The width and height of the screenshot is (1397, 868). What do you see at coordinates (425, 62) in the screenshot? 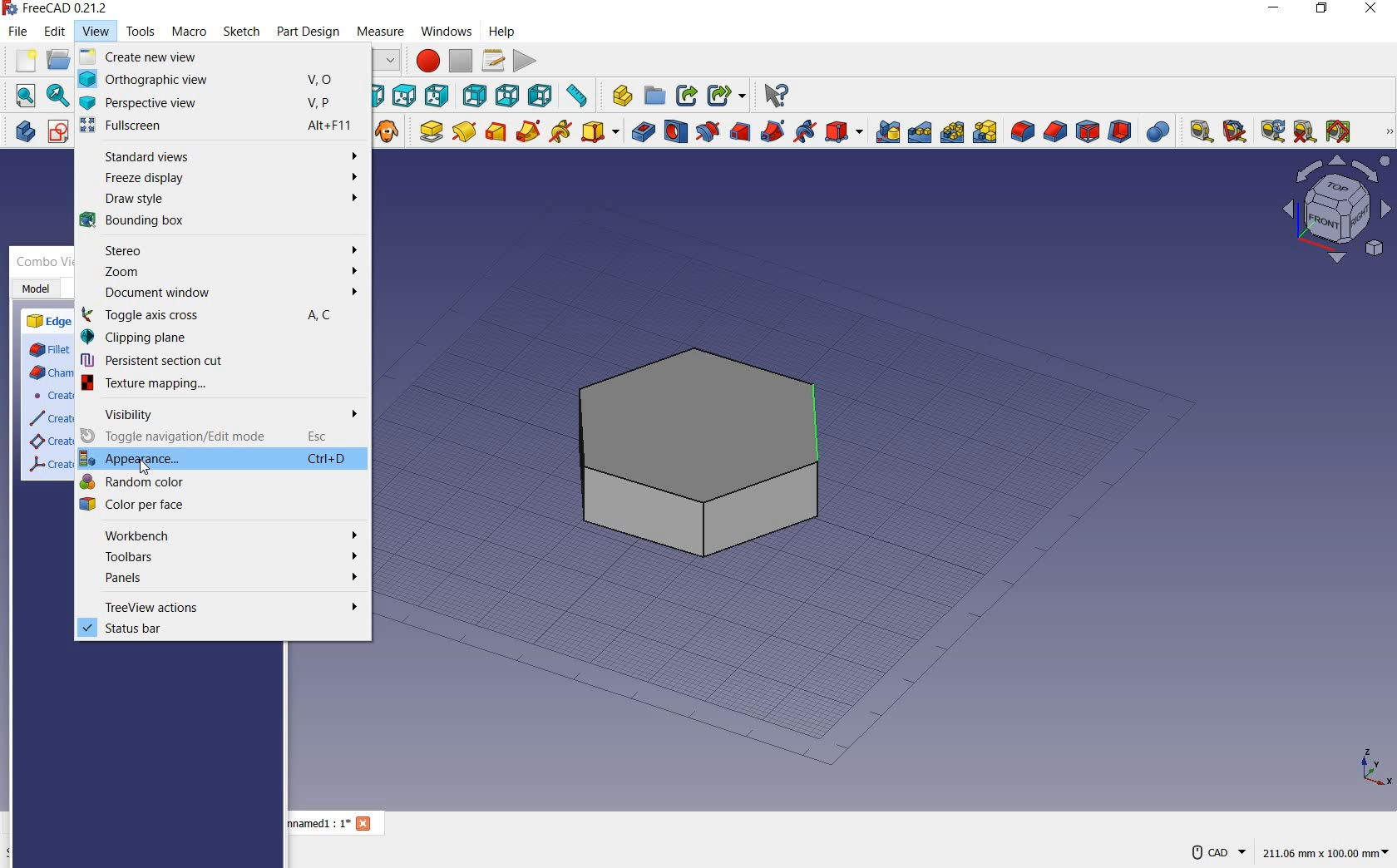
I see `macro recording` at bounding box center [425, 62].